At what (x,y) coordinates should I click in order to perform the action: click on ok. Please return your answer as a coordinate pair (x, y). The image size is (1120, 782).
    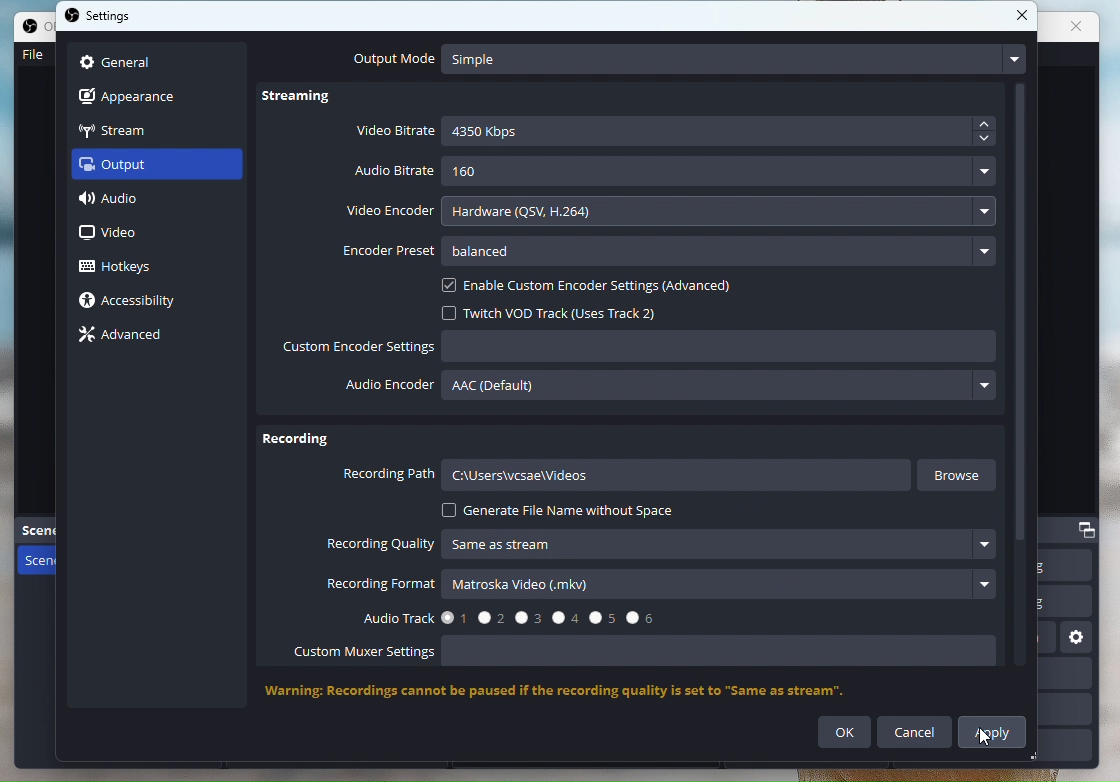
    Looking at the image, I should click on (845, 733).